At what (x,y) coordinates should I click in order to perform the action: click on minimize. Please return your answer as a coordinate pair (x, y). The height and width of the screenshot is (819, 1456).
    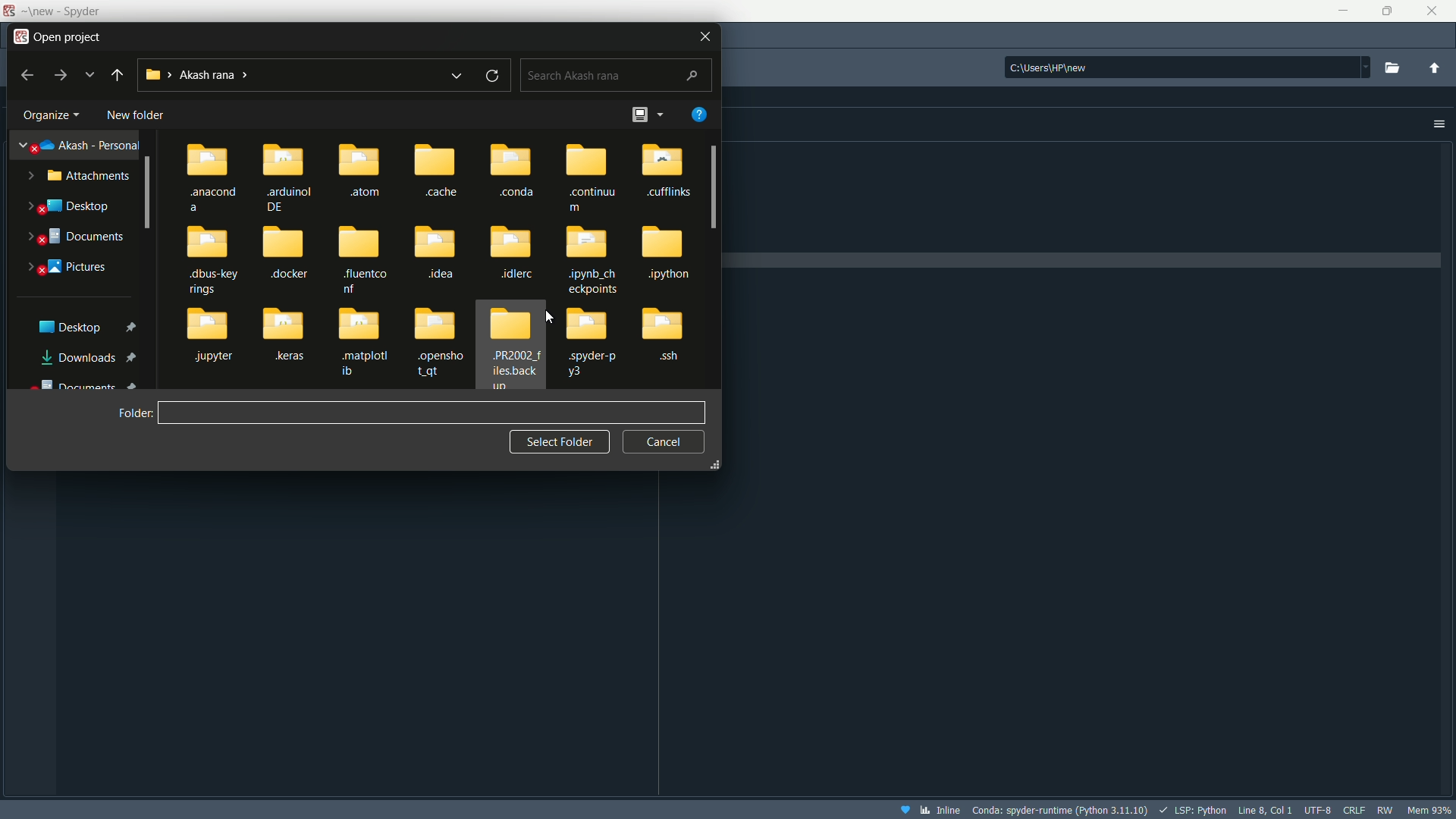
    Looking at the image, I should click on (1341, 9).